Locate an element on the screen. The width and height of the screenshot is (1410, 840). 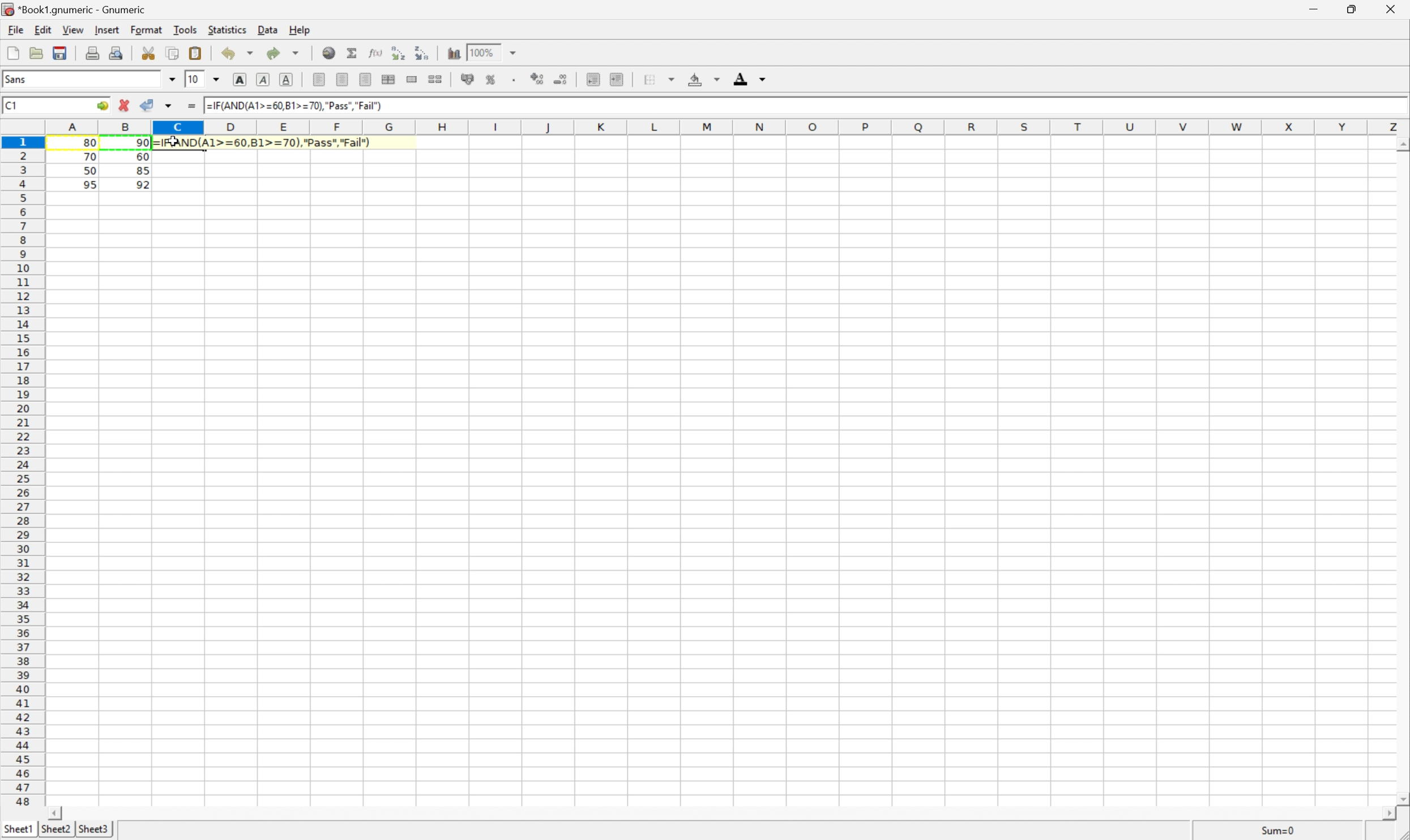
92 is located at coordinates (143, 184).